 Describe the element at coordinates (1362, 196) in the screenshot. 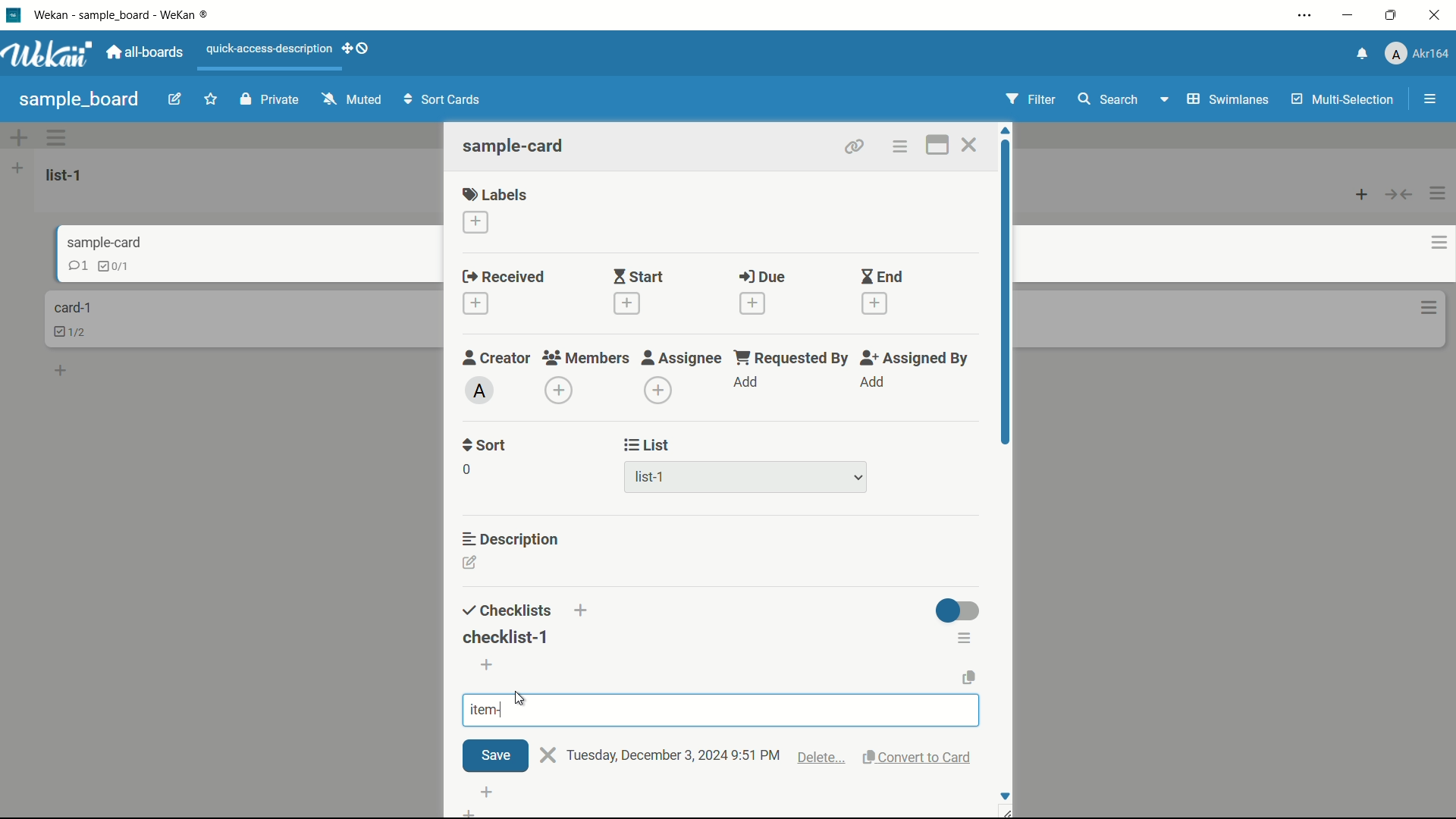

I see `add card to top of list` at that location.